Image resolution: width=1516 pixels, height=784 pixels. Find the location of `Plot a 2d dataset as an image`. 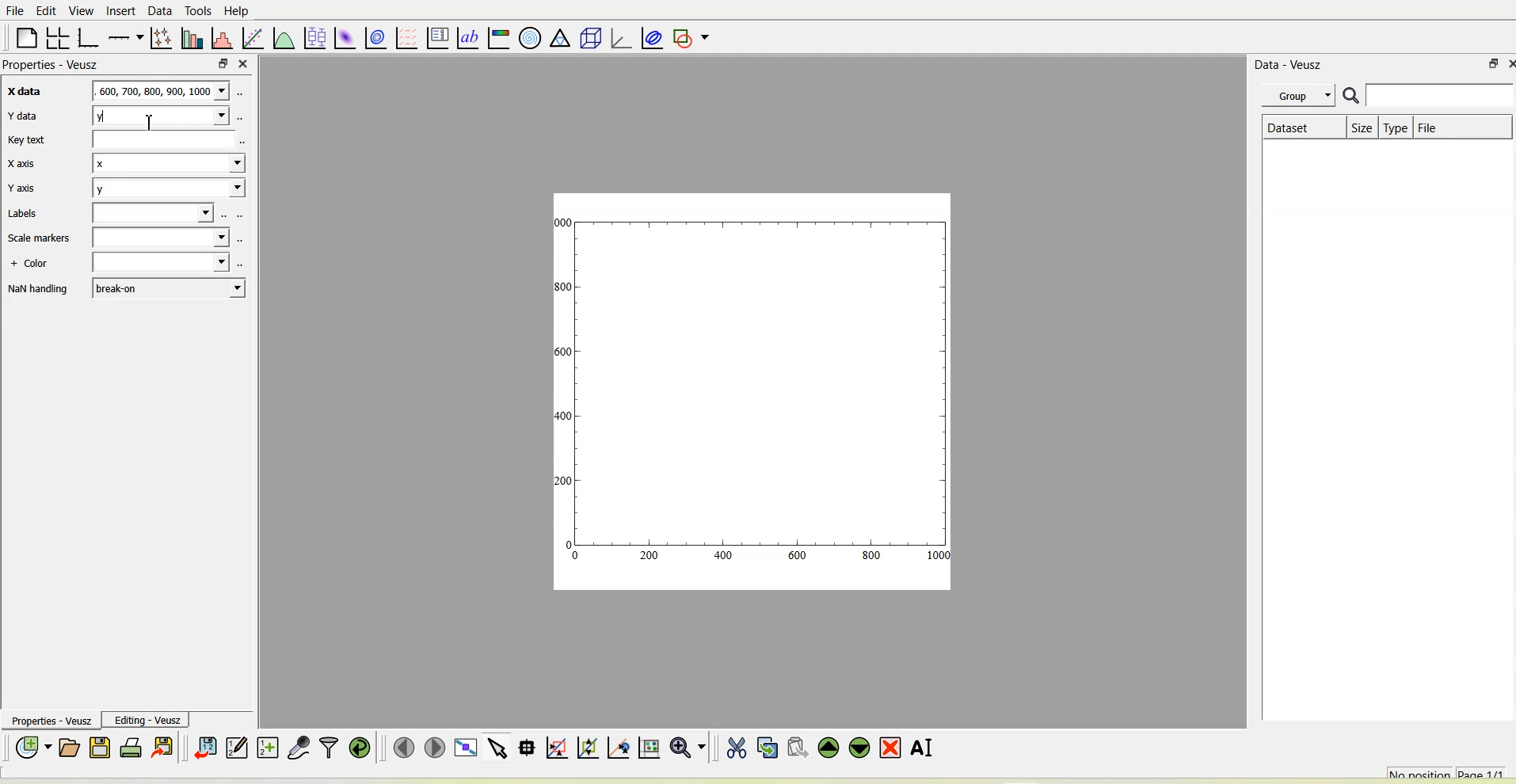

Plot a 2d dataset as an image is located at coordinates (345, 36).